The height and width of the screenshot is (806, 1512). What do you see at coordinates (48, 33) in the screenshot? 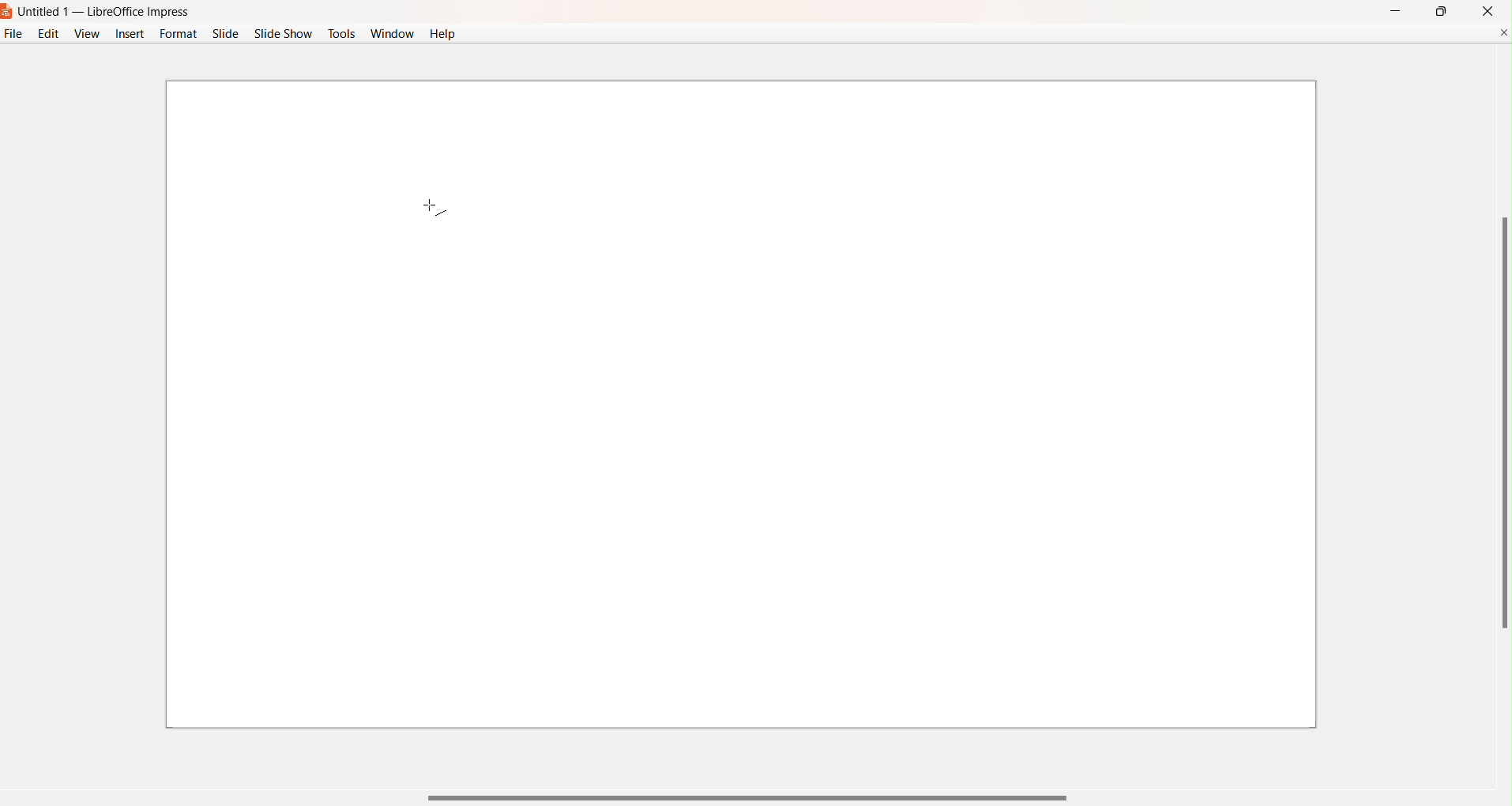
I see `Edit` at bounding box center [48, 33].